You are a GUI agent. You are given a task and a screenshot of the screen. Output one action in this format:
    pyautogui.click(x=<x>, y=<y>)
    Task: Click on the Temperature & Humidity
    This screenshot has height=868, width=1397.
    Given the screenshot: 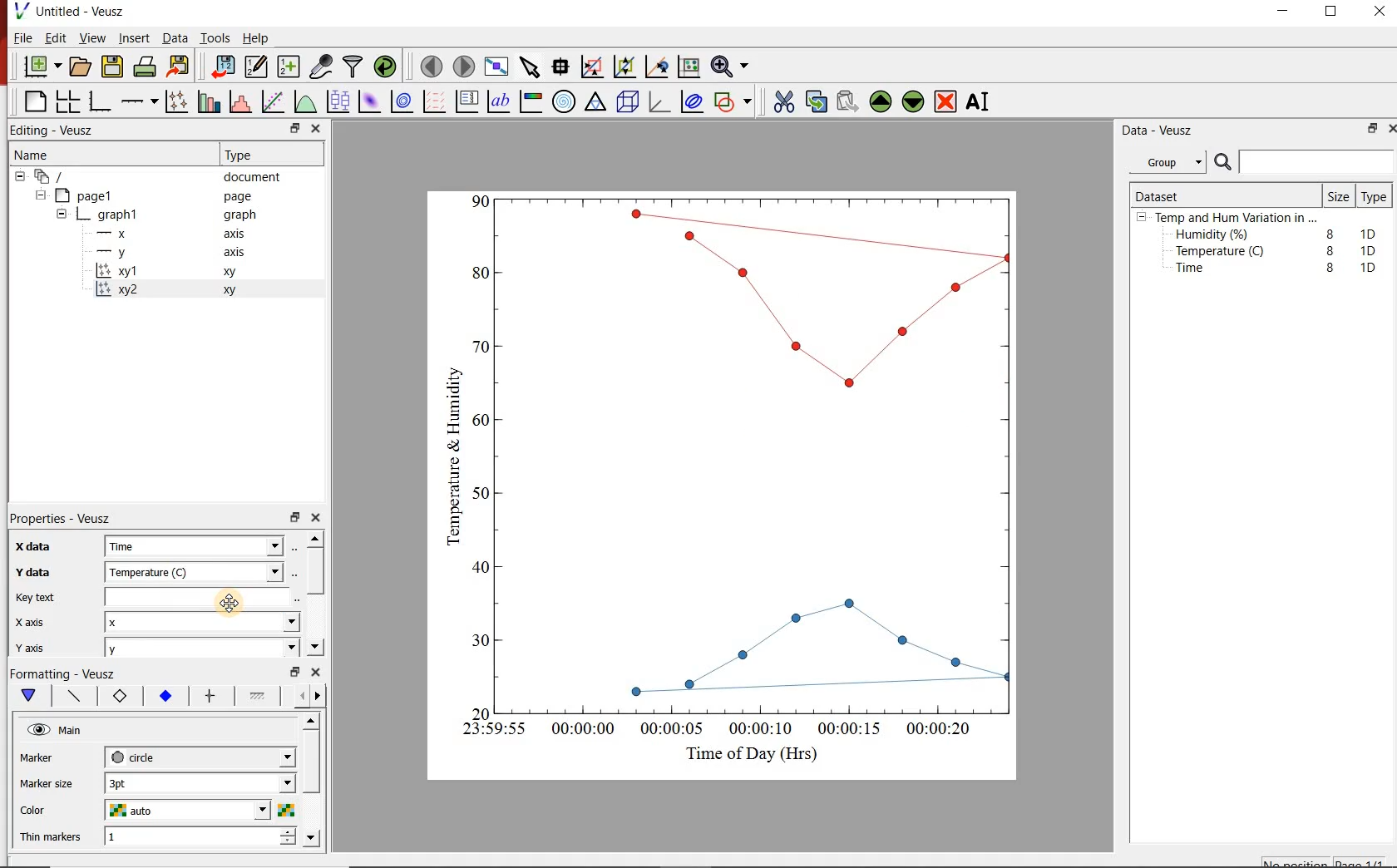 What is the action you would take?
    pyautogui.click(x=449, y=451)
    